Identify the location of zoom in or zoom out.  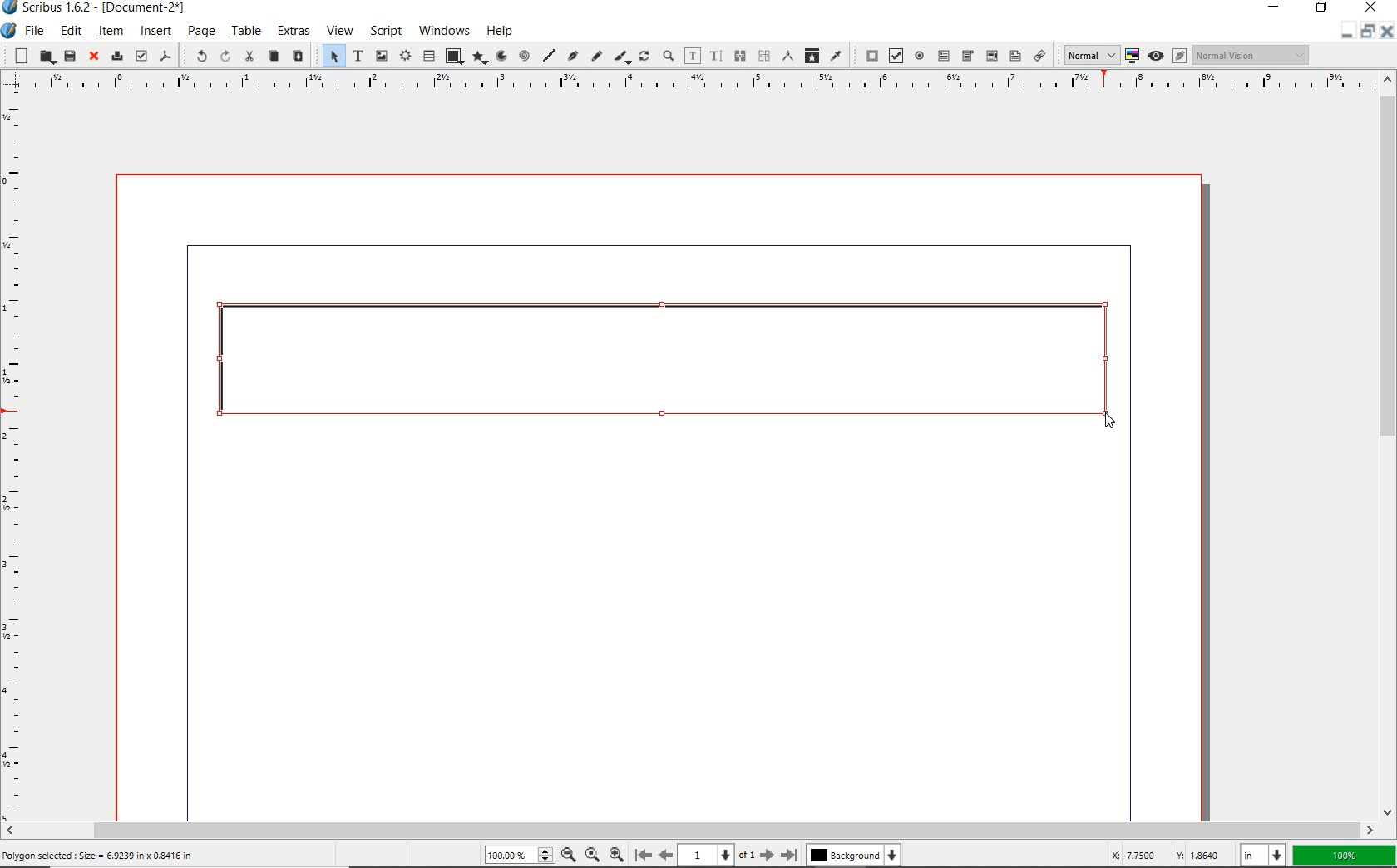
(668, 56).